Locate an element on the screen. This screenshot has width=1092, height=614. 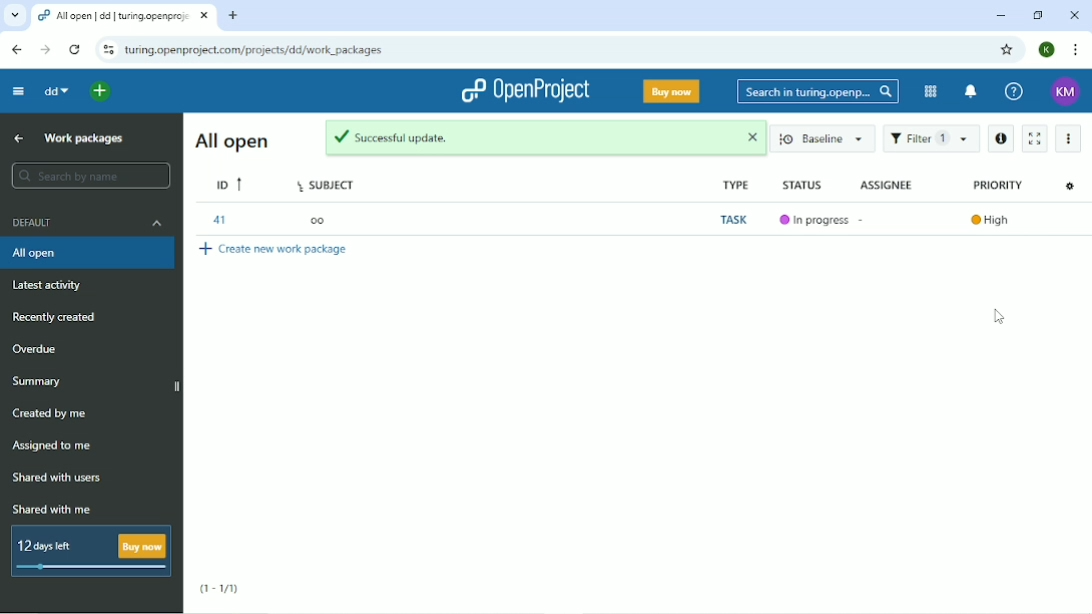
Minimize is located at coordinates (1001, 16).